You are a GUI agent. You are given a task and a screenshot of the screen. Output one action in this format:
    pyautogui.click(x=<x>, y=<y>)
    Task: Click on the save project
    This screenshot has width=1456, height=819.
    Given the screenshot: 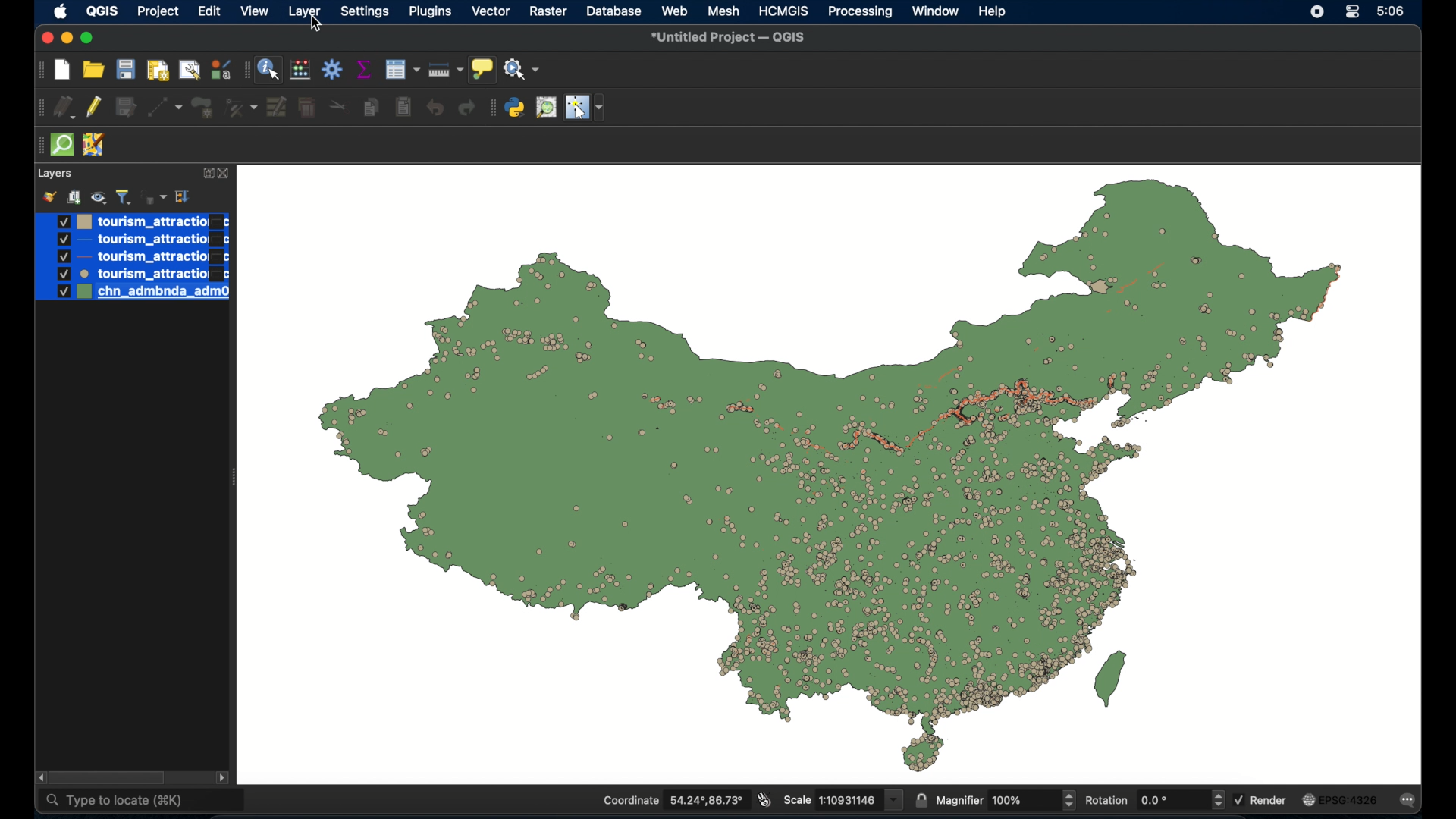 What is the action you would take?
    pyautogui.click(x=125, y=69)
    